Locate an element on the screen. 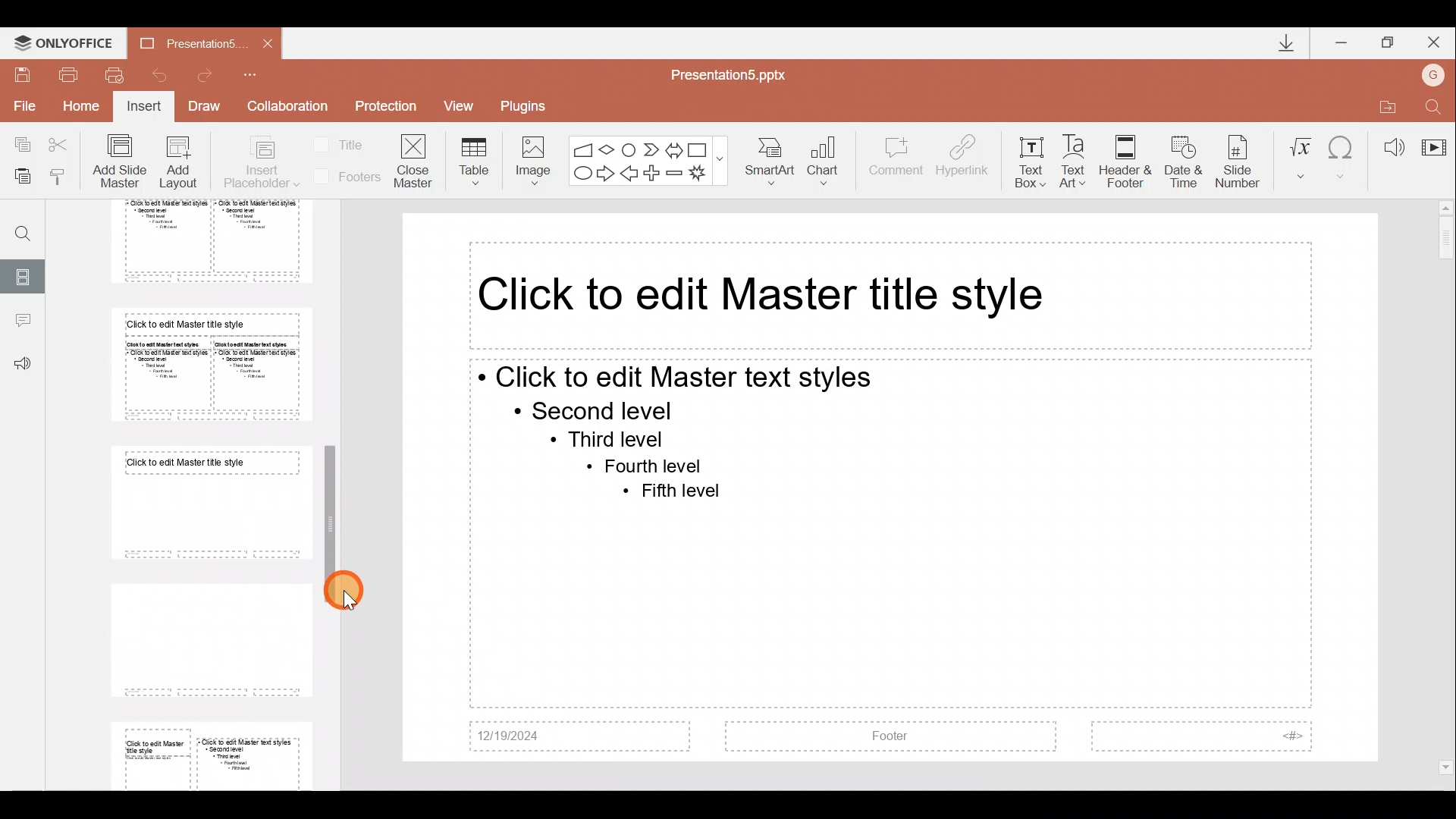 The height and width of the screenshot is (819, 1456). Comment is located at coordinates (896, 163).